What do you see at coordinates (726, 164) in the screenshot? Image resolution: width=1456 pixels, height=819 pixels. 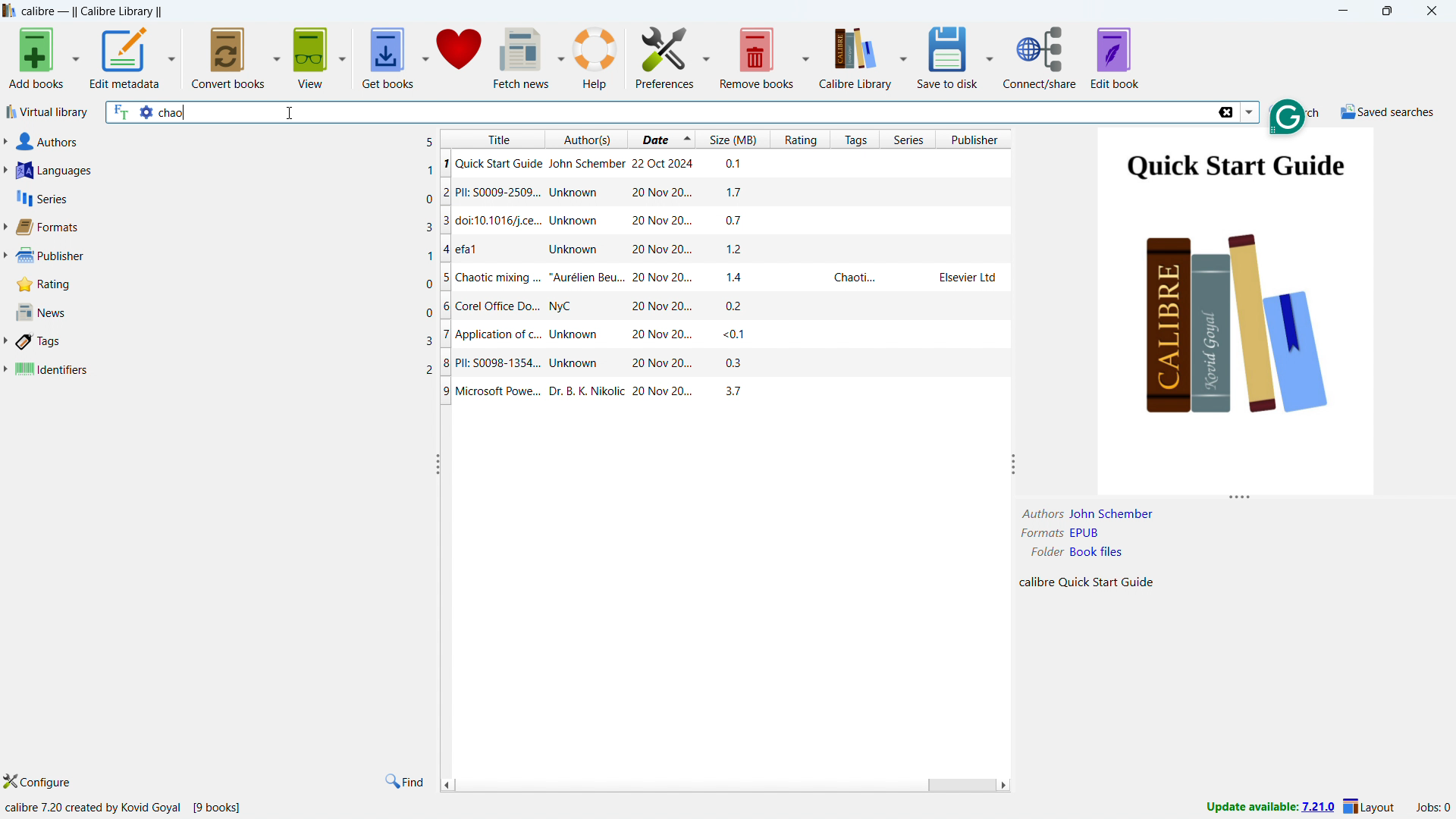 I see `Quick start Guide ` at bounding box center [726, 164].